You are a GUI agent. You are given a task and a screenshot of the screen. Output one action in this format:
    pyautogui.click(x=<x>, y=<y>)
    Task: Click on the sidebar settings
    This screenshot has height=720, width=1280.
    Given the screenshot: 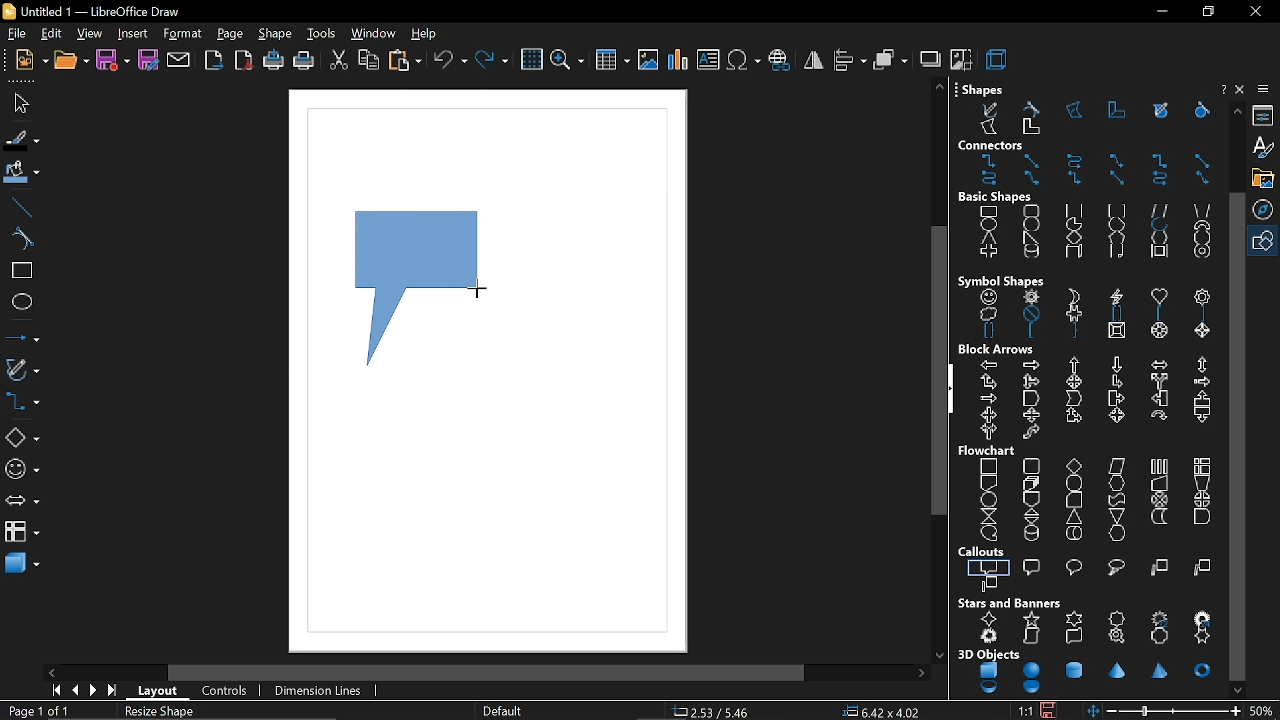 What is the action you would take?
    pyautogui.click(x=1264, y=91)
    